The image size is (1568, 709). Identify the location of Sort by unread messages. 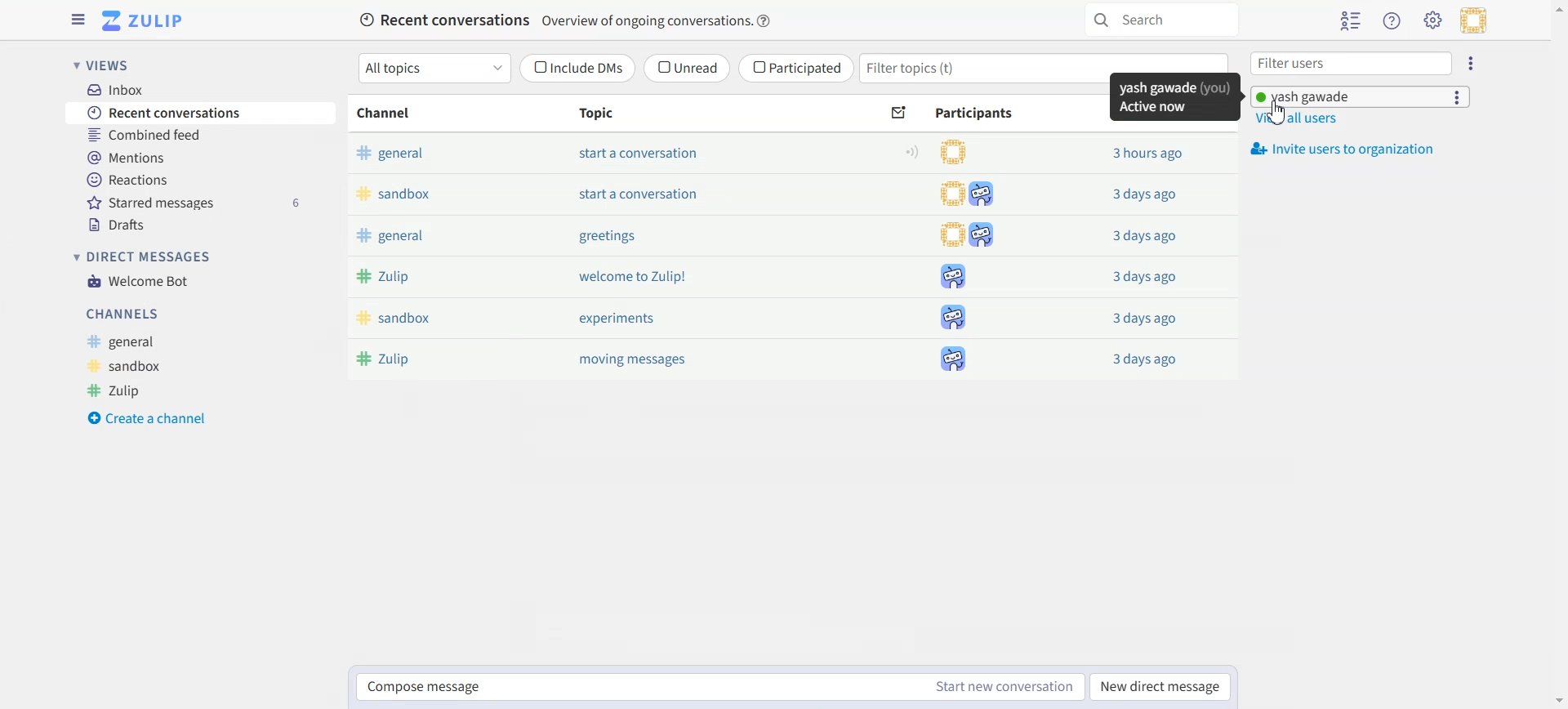
(894, 113).